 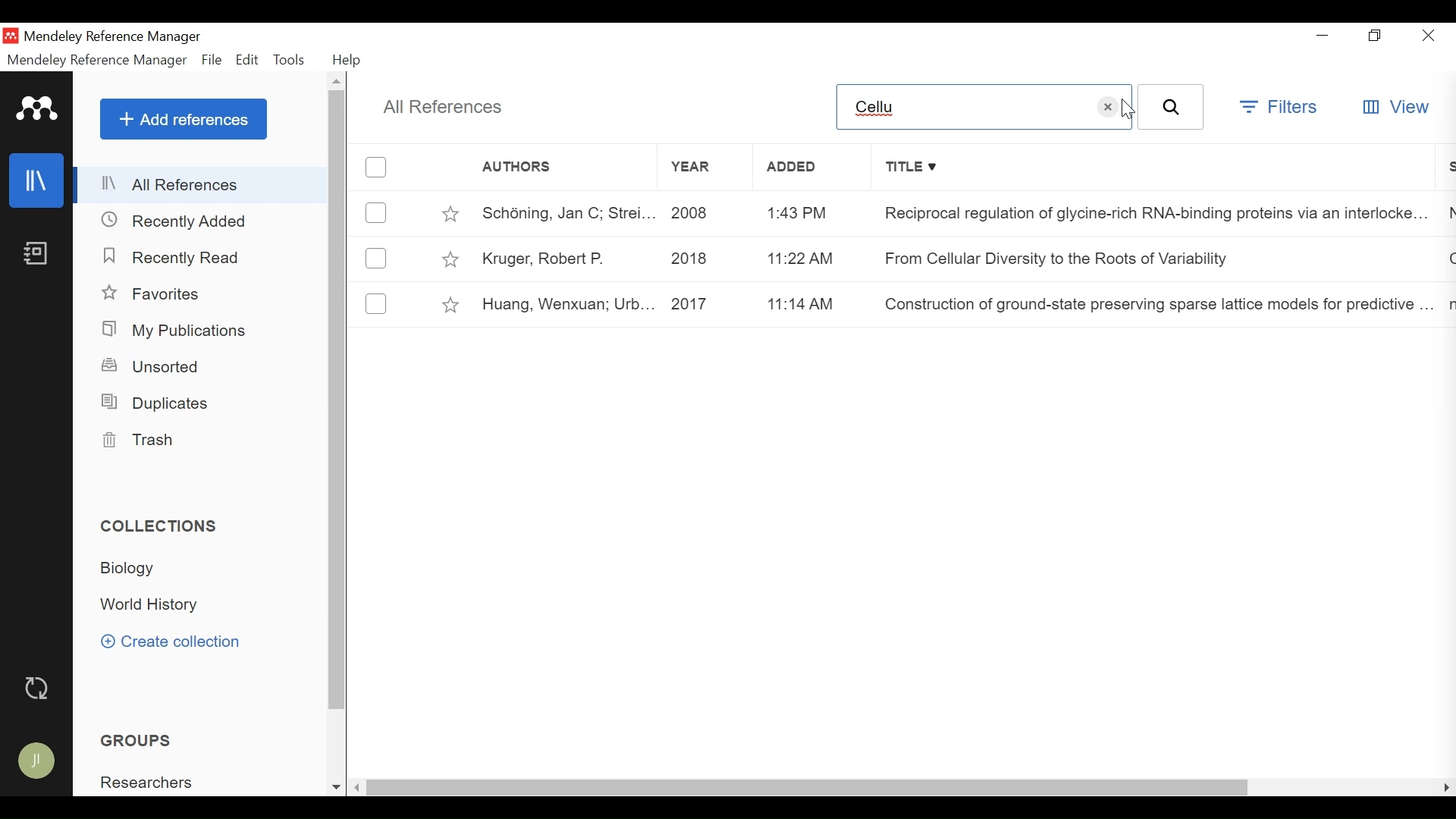 I want to click on Mendeley Desktop Icon, so click(x=11, y=36).